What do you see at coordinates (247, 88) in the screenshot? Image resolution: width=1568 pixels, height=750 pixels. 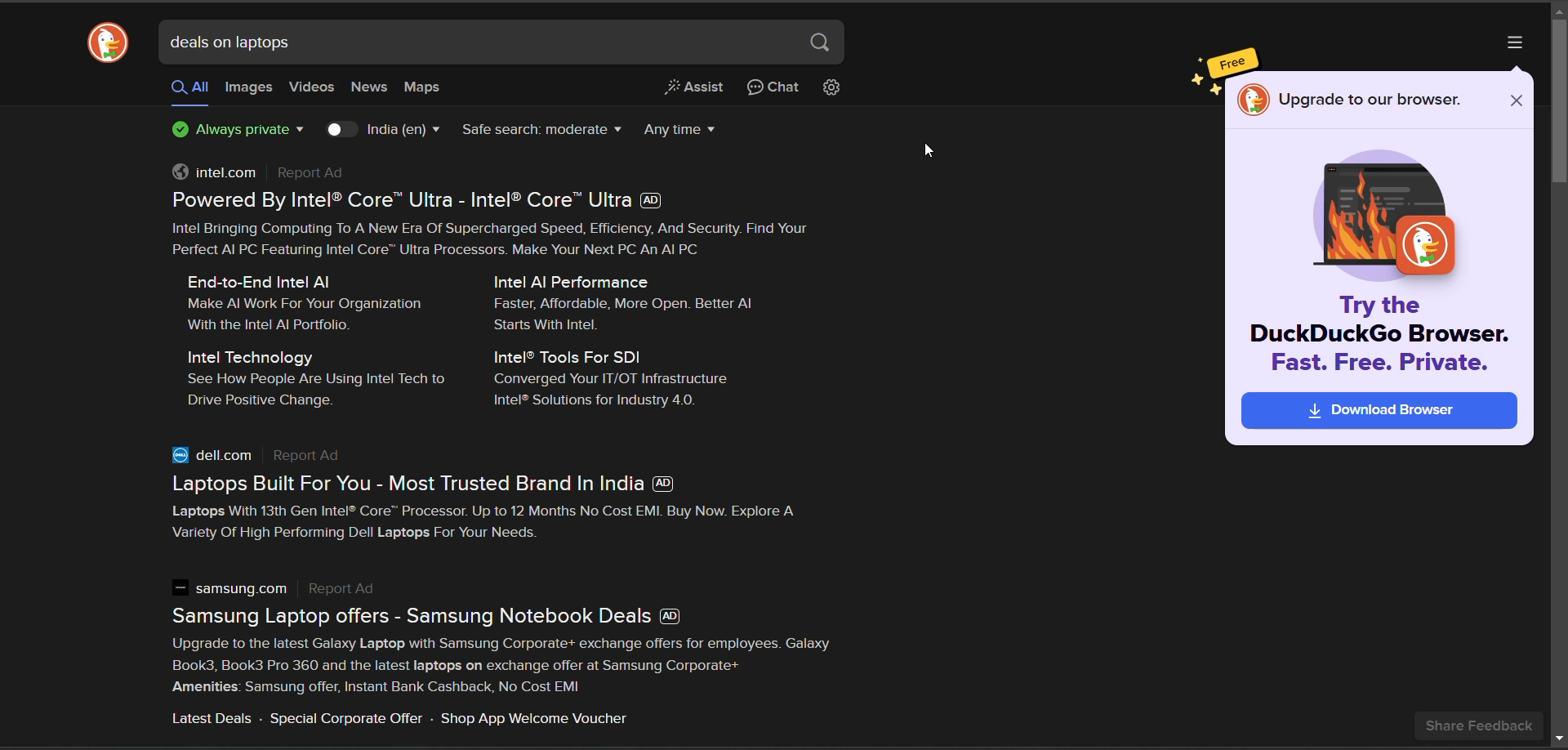 I see `images` at bounding box center [247, 88].